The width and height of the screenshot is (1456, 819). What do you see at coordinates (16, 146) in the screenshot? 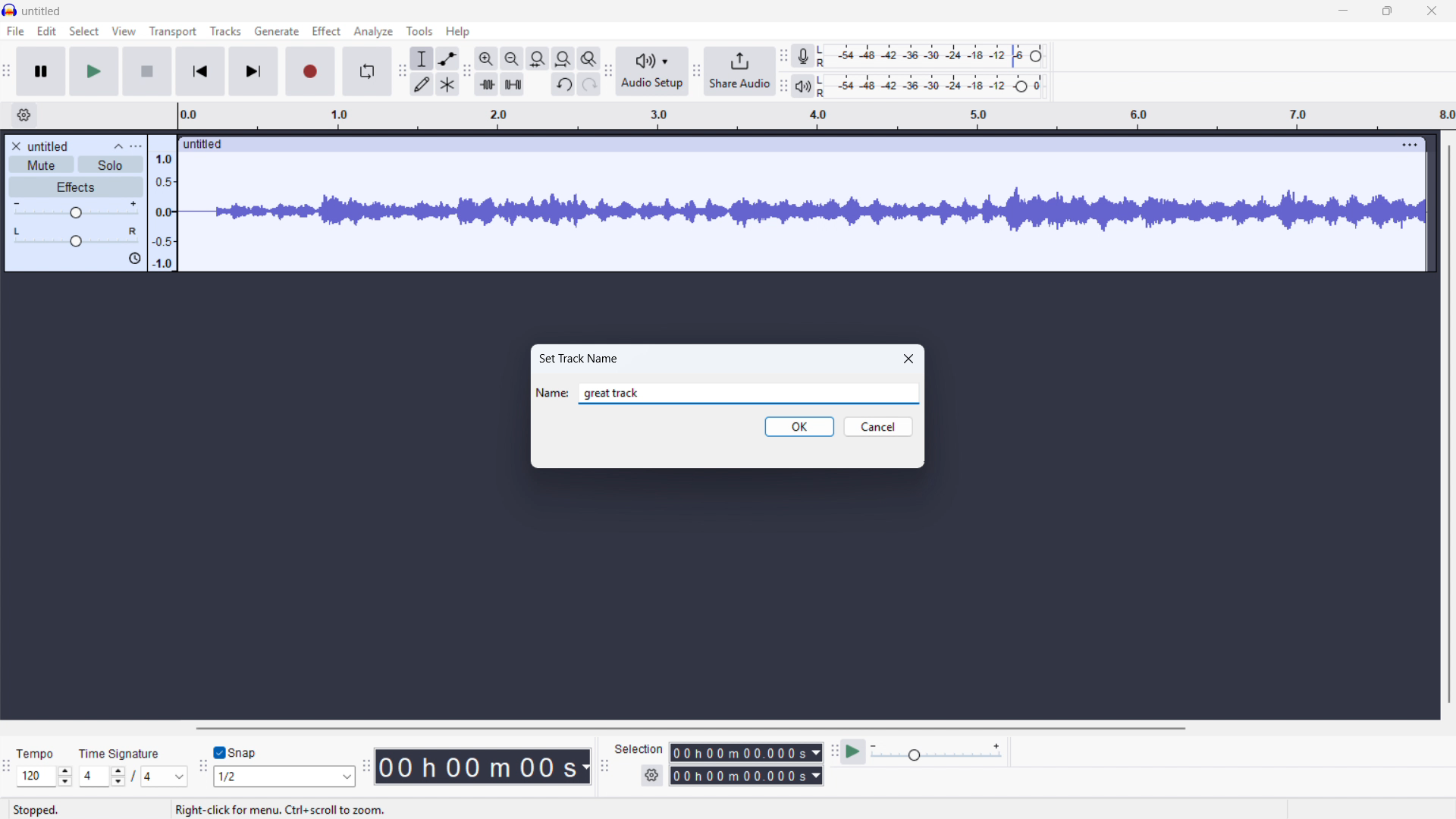
I see `Remove track ` at bounding box center [16, 146].